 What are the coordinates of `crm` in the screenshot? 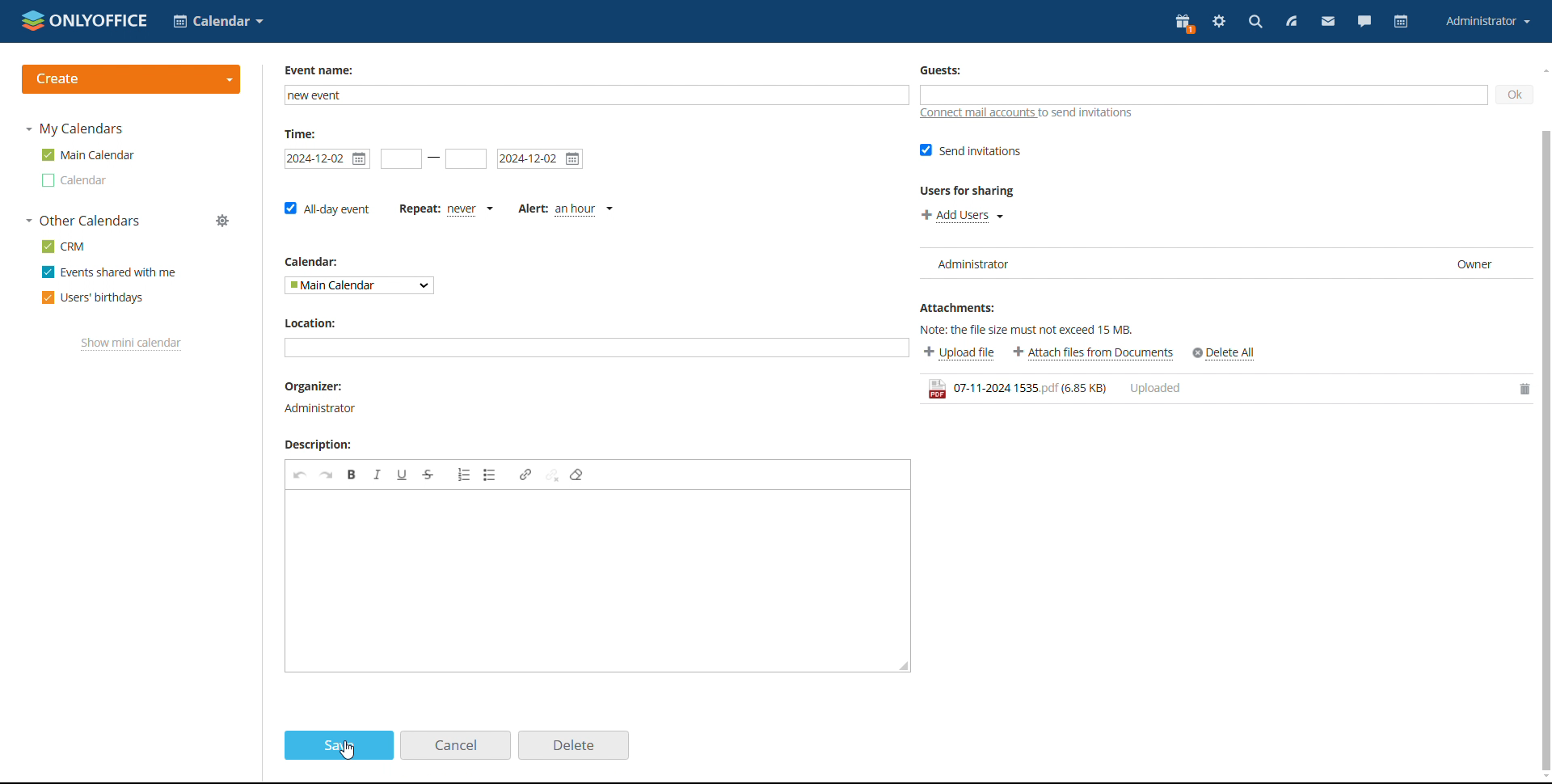 It's located at (61, 246).